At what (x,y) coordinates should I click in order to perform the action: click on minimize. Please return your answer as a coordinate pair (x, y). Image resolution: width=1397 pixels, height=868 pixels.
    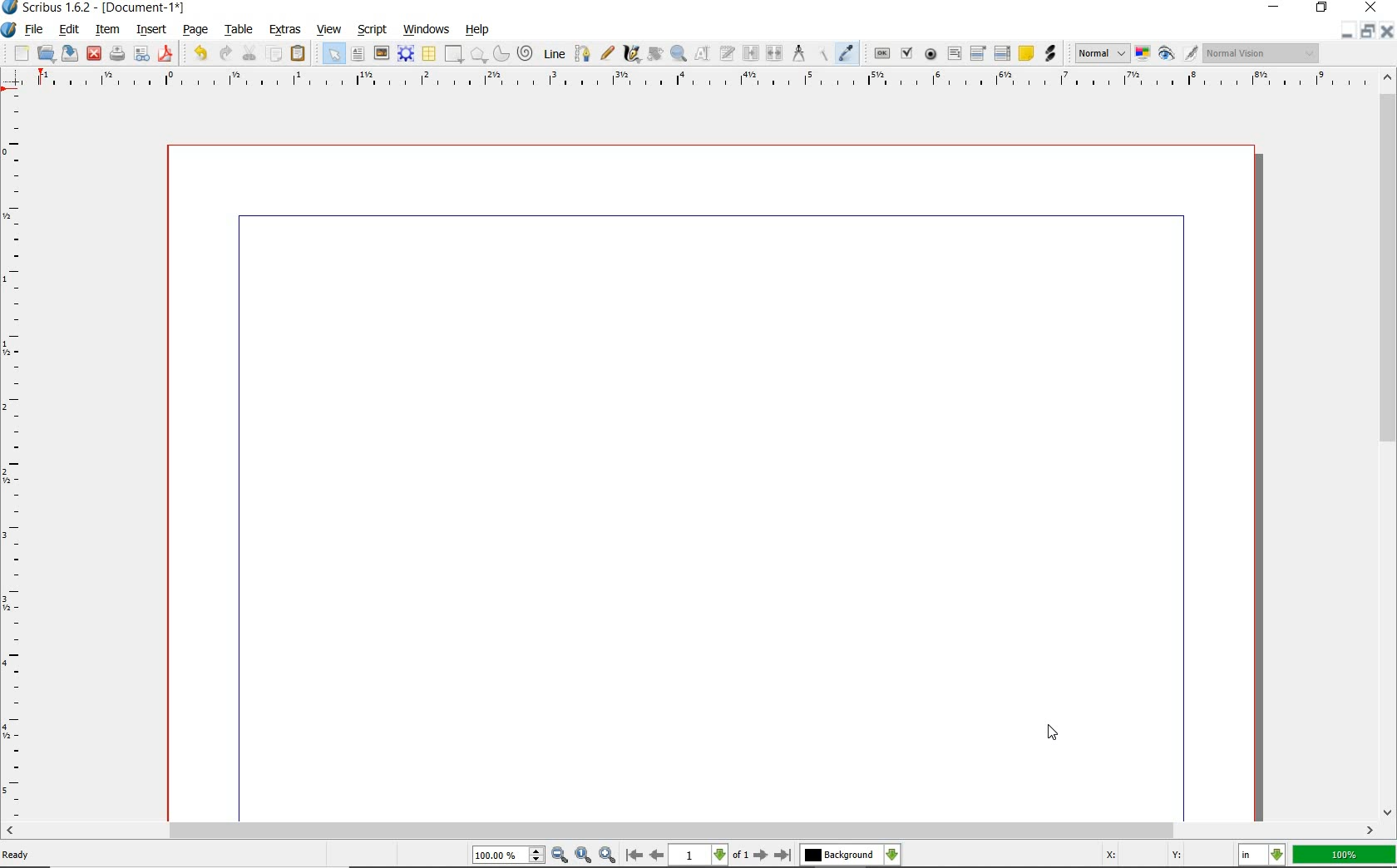
    Looking at the image, I should click on (1369, 31).